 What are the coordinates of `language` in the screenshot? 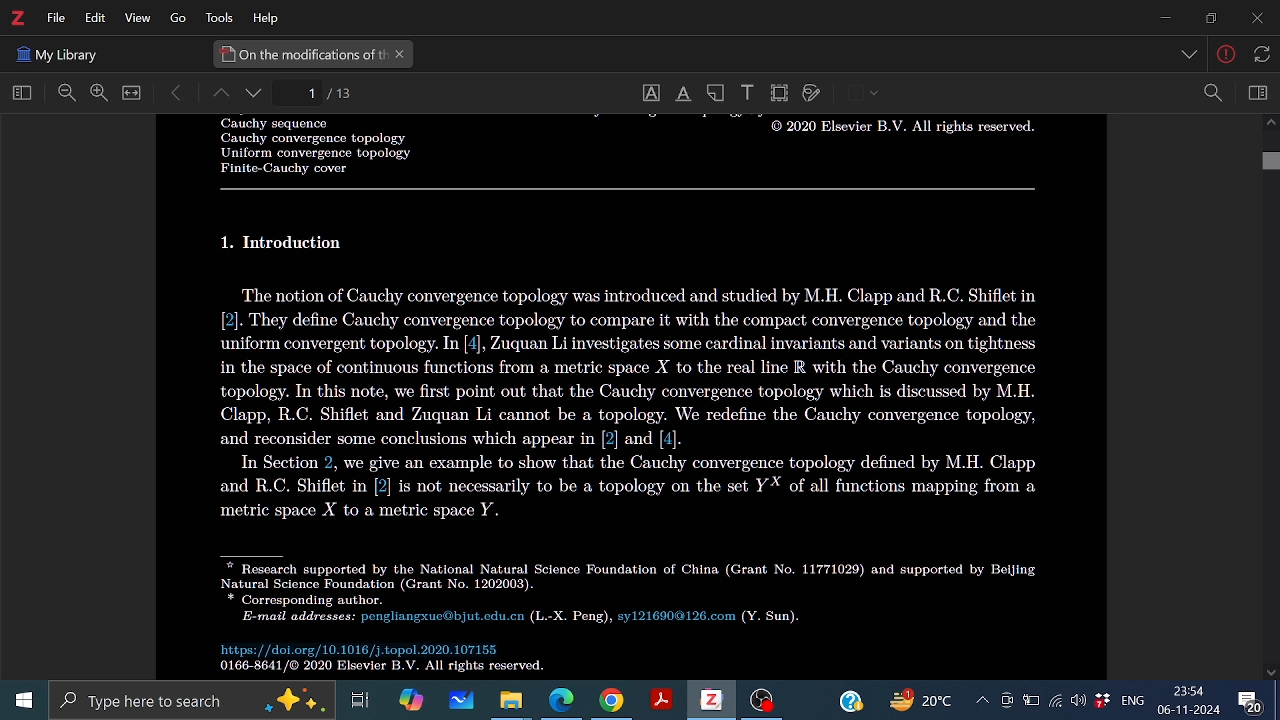 It's located at (1130, 699).